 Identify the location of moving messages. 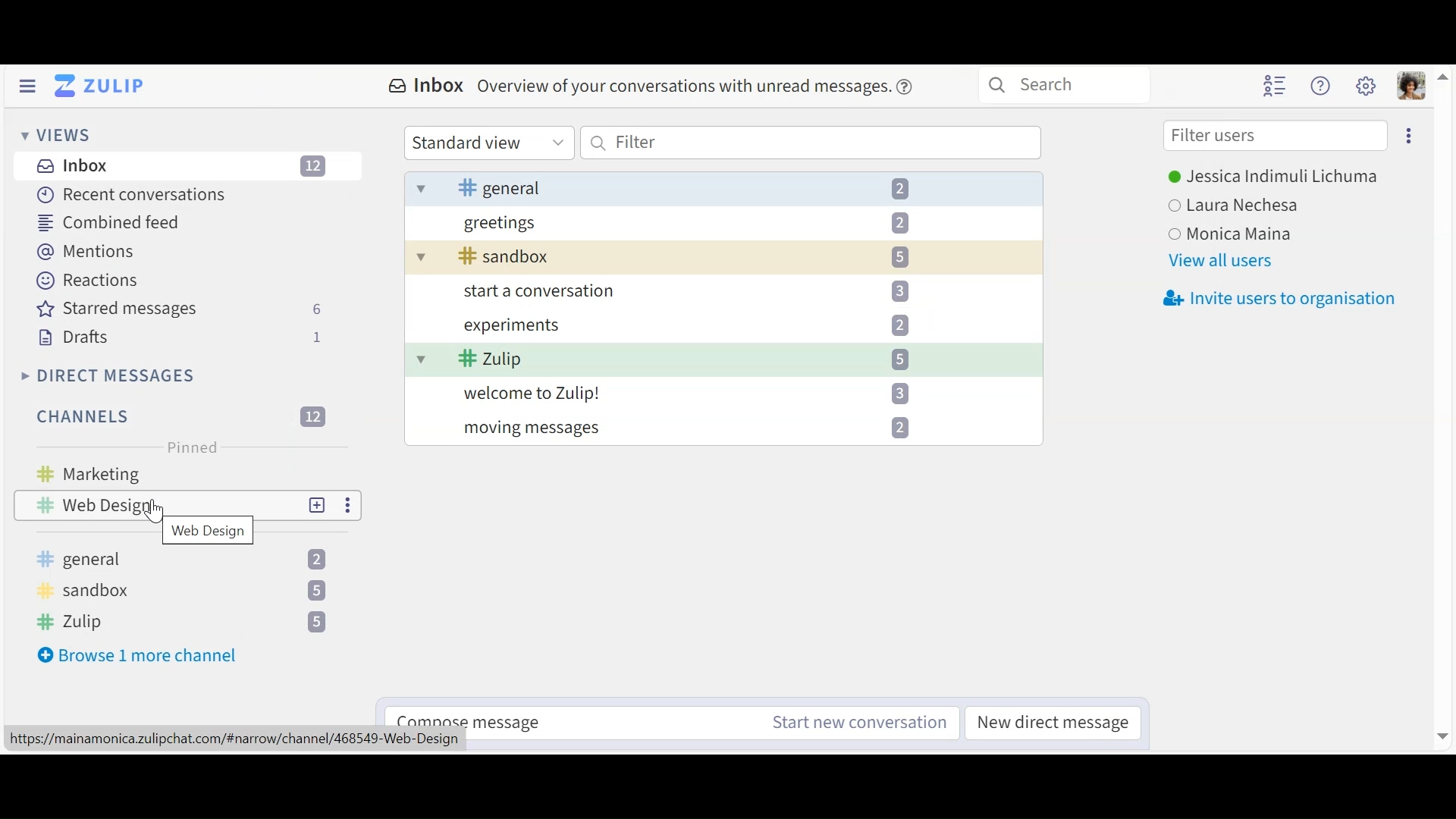
(720, 426).